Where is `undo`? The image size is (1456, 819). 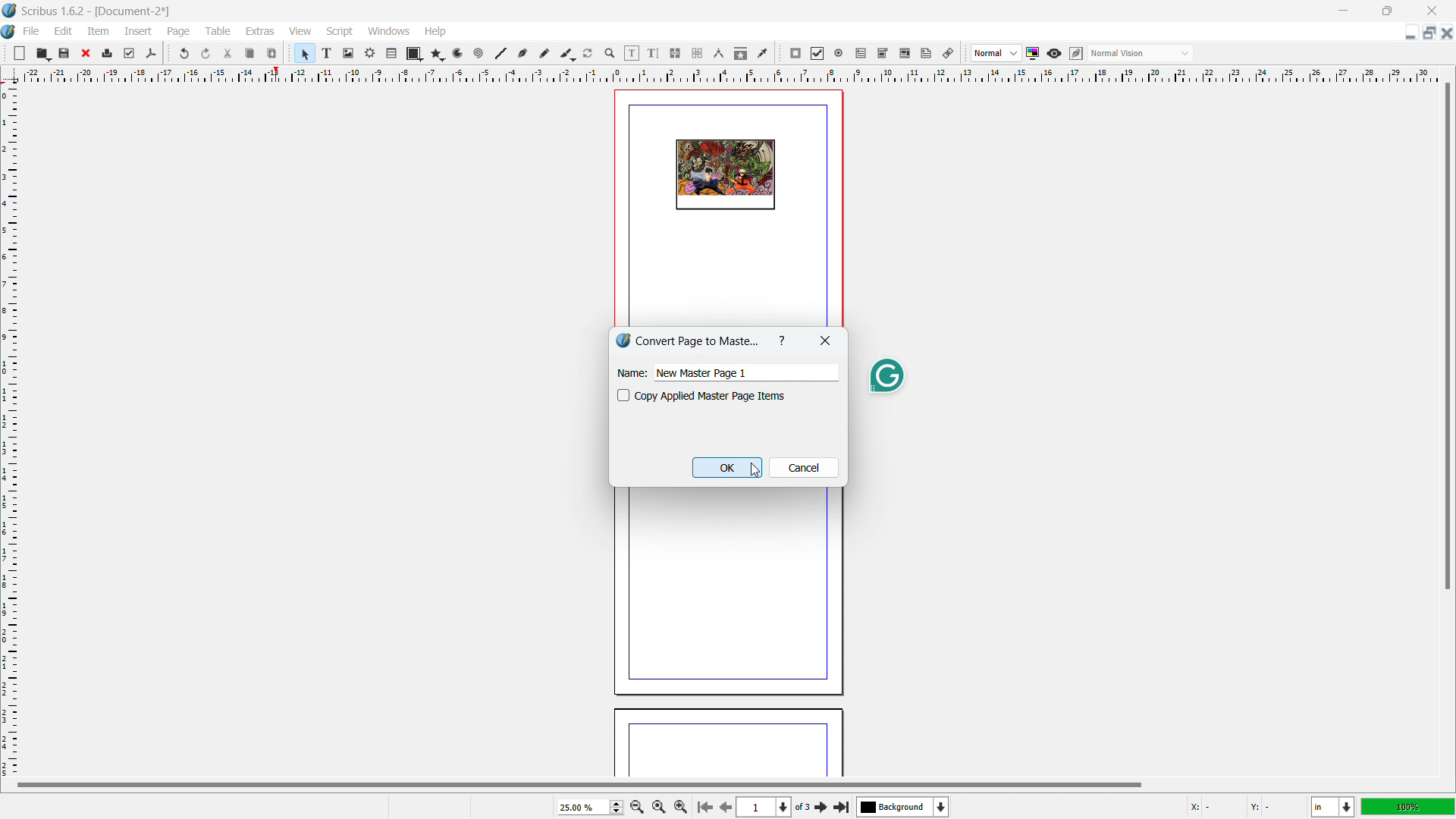
undo is located at coordinates (186, 53).